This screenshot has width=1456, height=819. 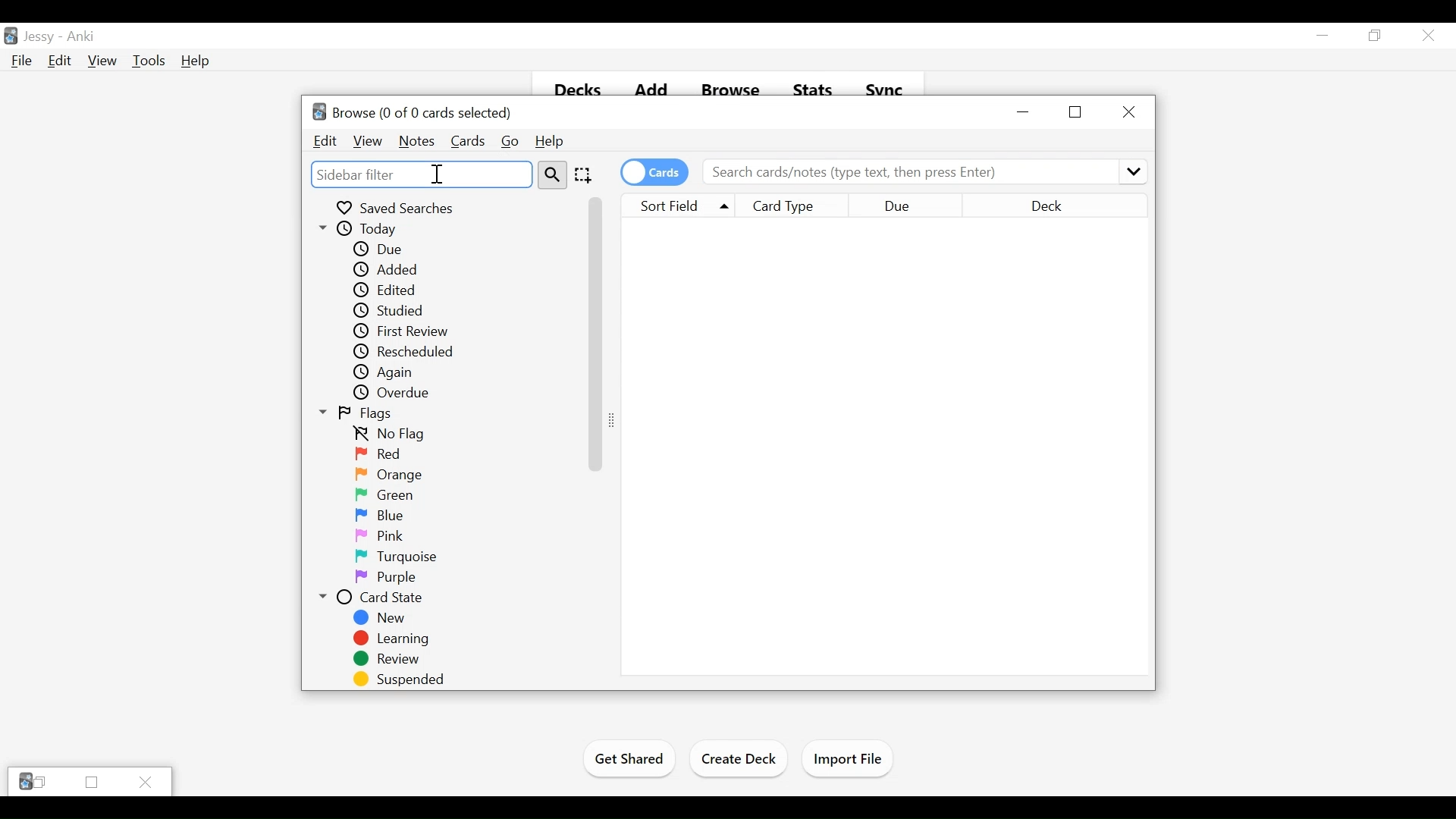 What do you see at coordinates (378, 596) in the screenshot?
I see `Card State` at bounding box center [378, 596].